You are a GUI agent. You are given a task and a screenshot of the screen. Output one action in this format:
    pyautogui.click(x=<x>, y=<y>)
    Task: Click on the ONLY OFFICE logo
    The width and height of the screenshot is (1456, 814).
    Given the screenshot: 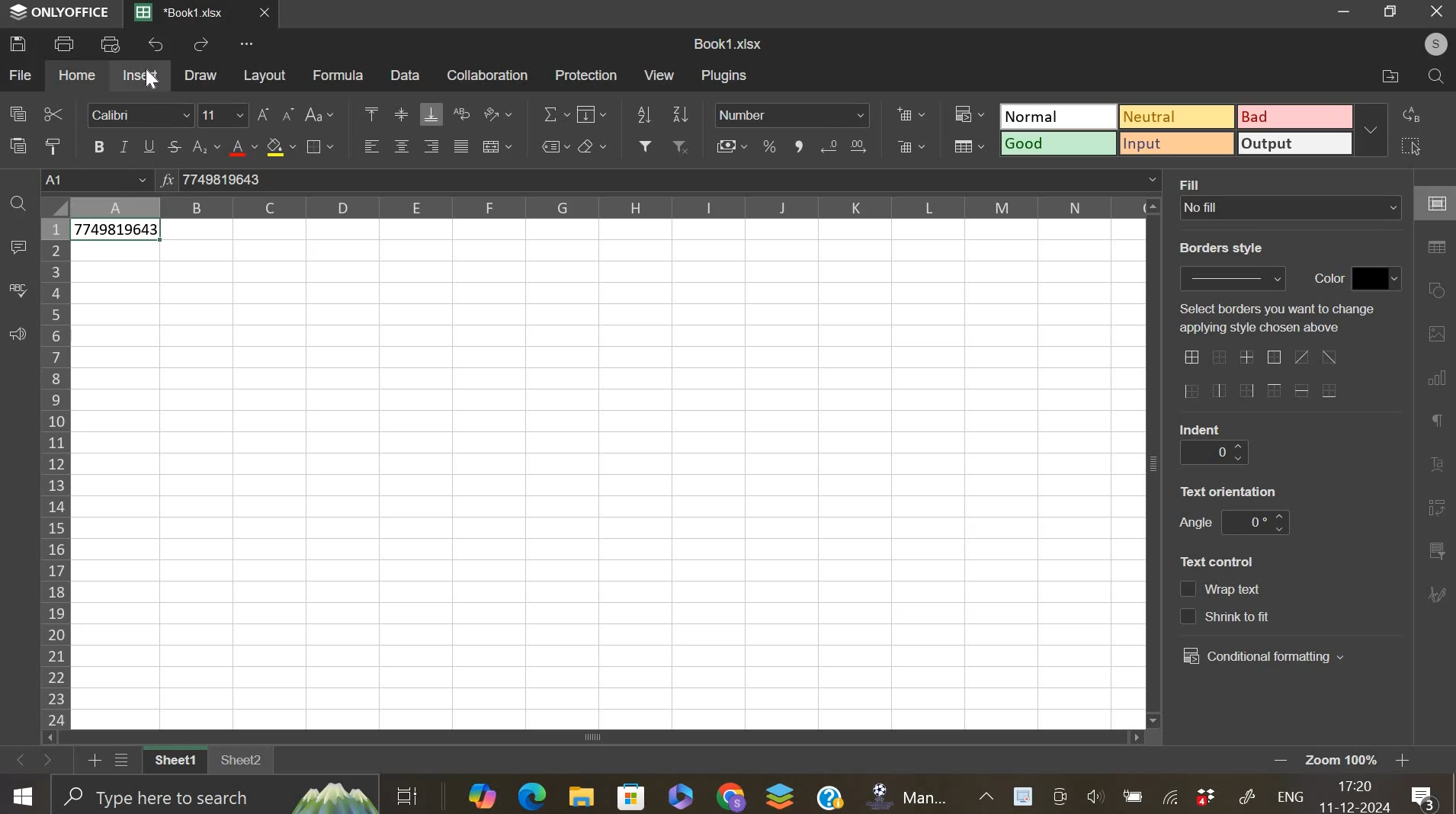 What is the action you would take?
    pyautogui.click(x=60, y=11)
    